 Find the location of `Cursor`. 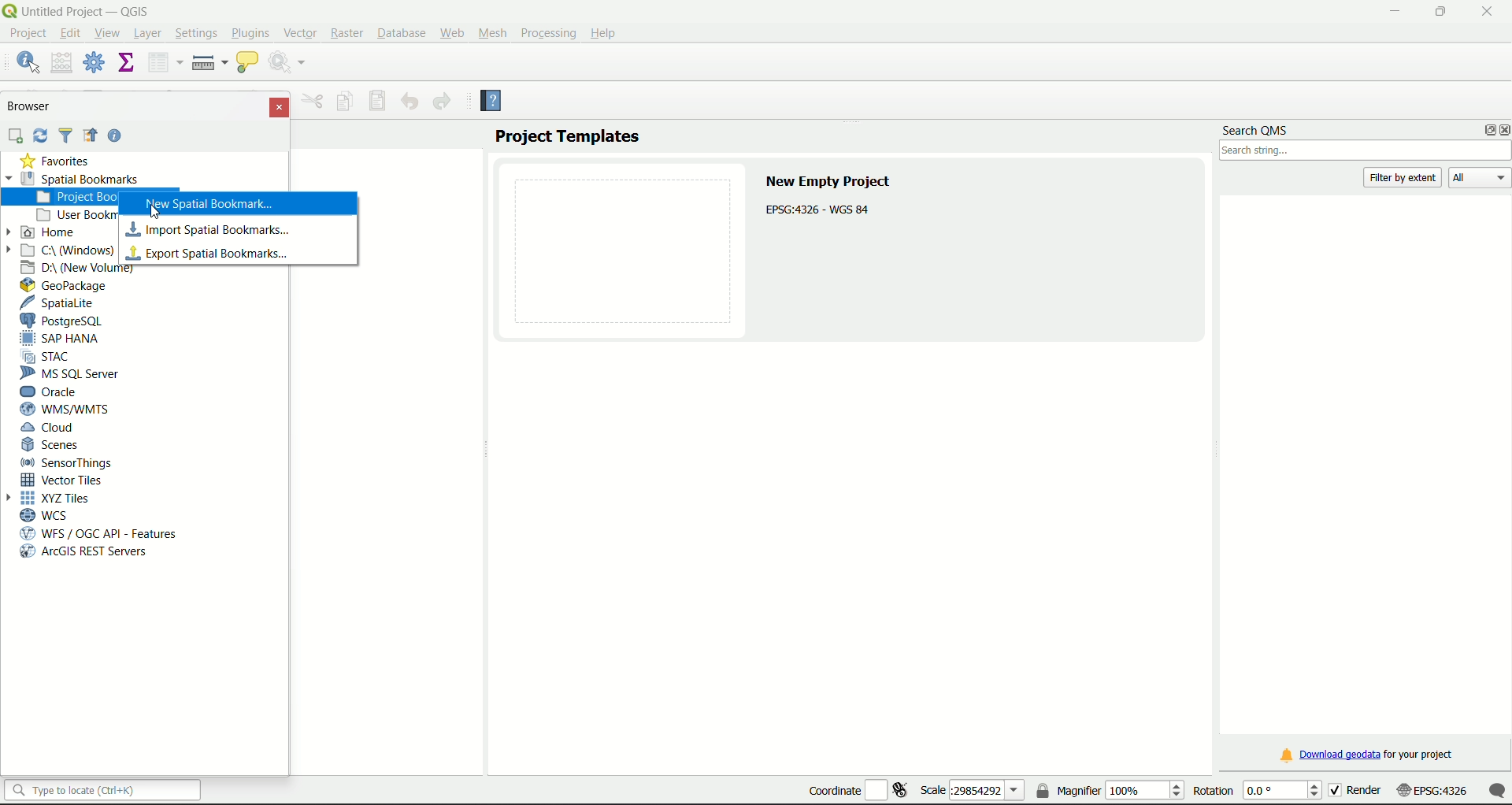

Cursor is located at coordinates (153, 214).